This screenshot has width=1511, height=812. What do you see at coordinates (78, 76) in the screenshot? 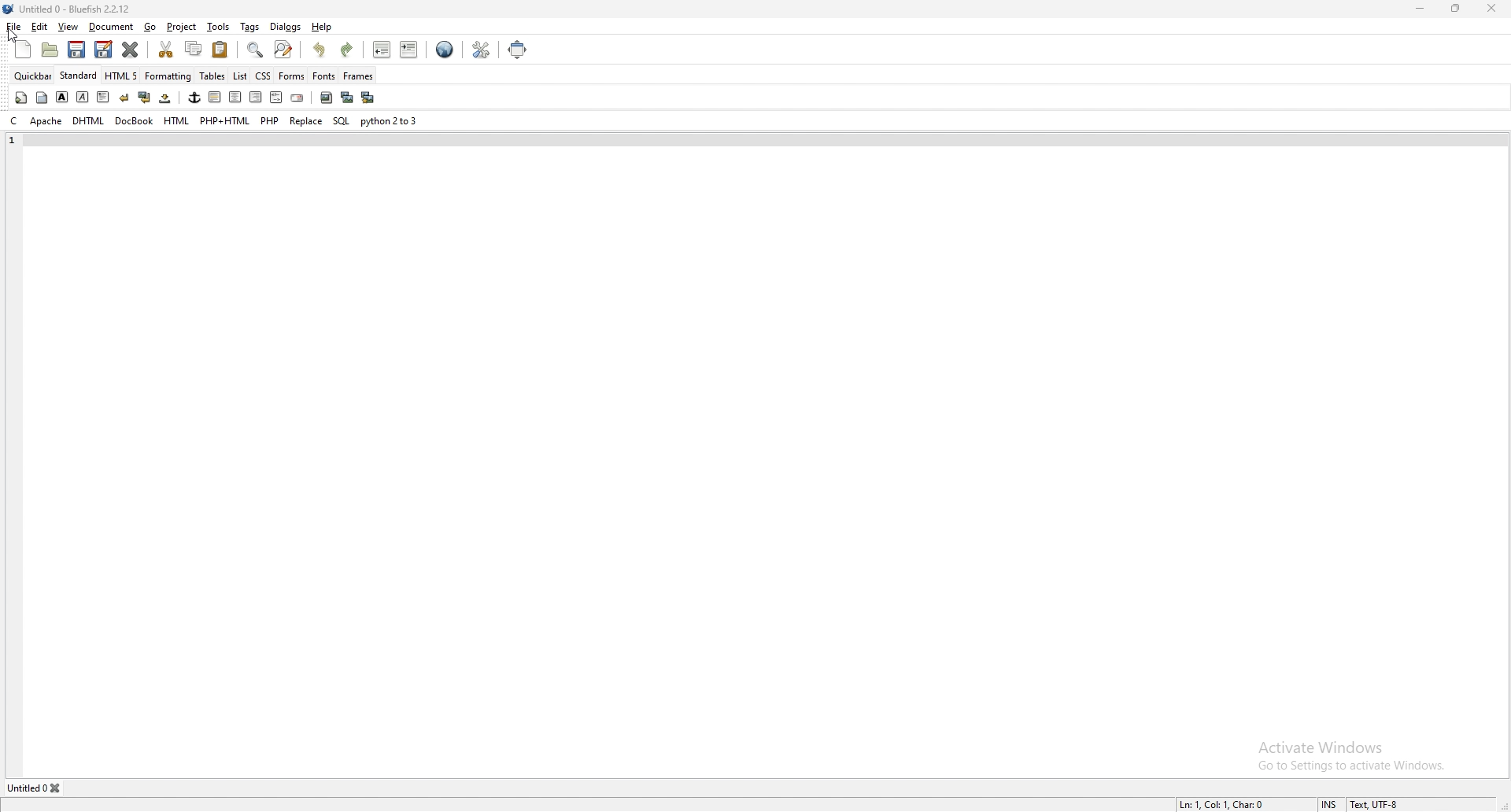
I see `standard` at bounding box center [78, 76].